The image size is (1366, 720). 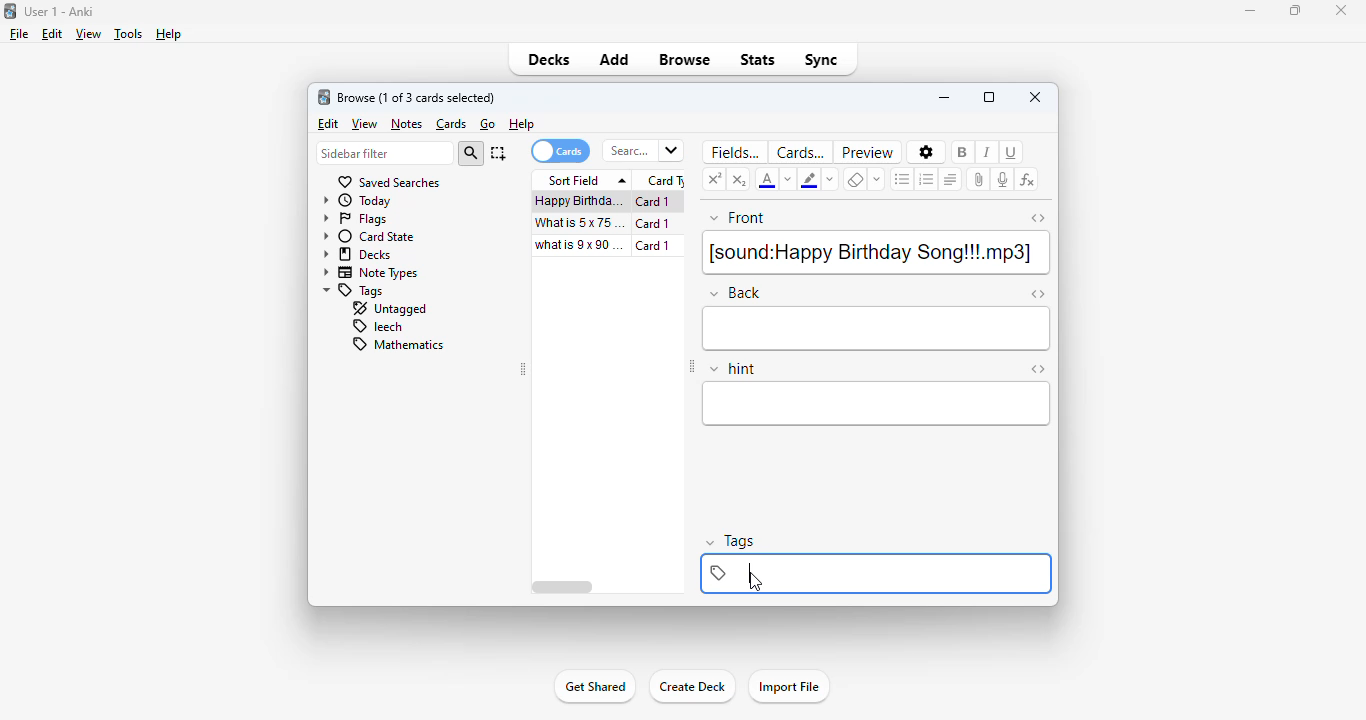 I want to click on [sound: Happy Birthday Song!!!.mp3}, so click(x=875, y=253).